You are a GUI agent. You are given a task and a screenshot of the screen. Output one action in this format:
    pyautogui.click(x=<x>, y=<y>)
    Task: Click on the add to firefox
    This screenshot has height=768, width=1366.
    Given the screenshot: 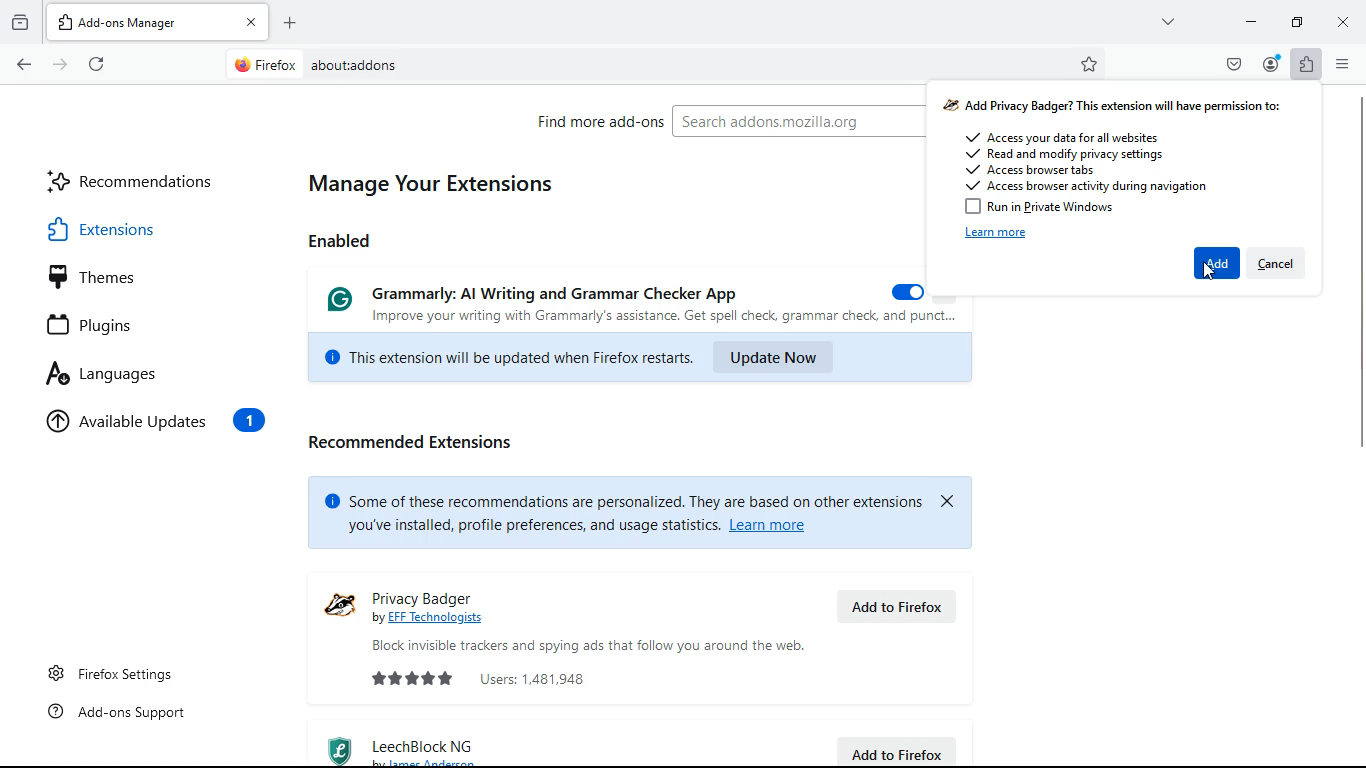 What is the action you would take?
    pyautogui.click(x=902, y=609)
    